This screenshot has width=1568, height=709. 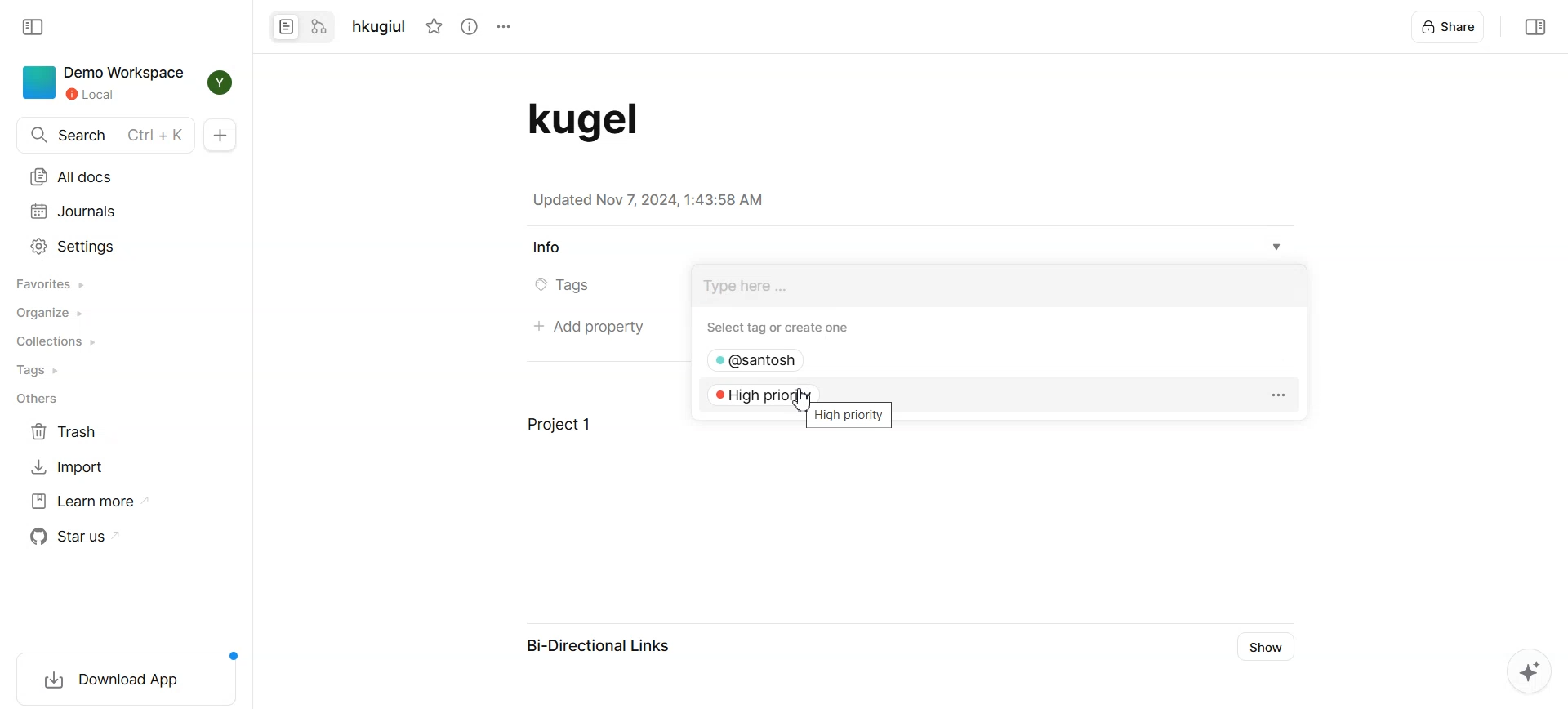 I want to click on Tags, so click(x=571, y=284).